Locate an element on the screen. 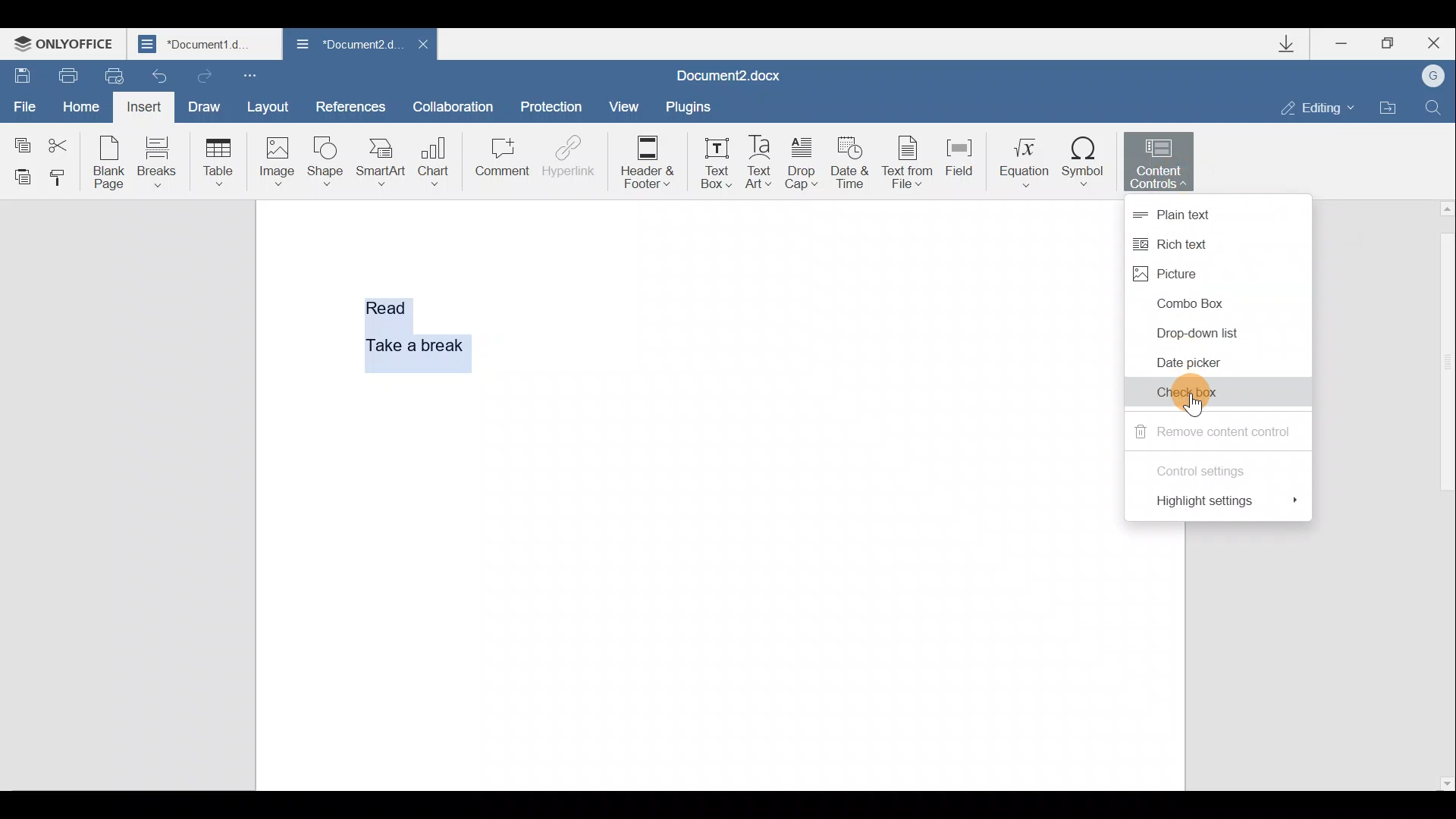 This screenshot has height=819, width=1456. Control settings is located at coordinates (1207, 468).